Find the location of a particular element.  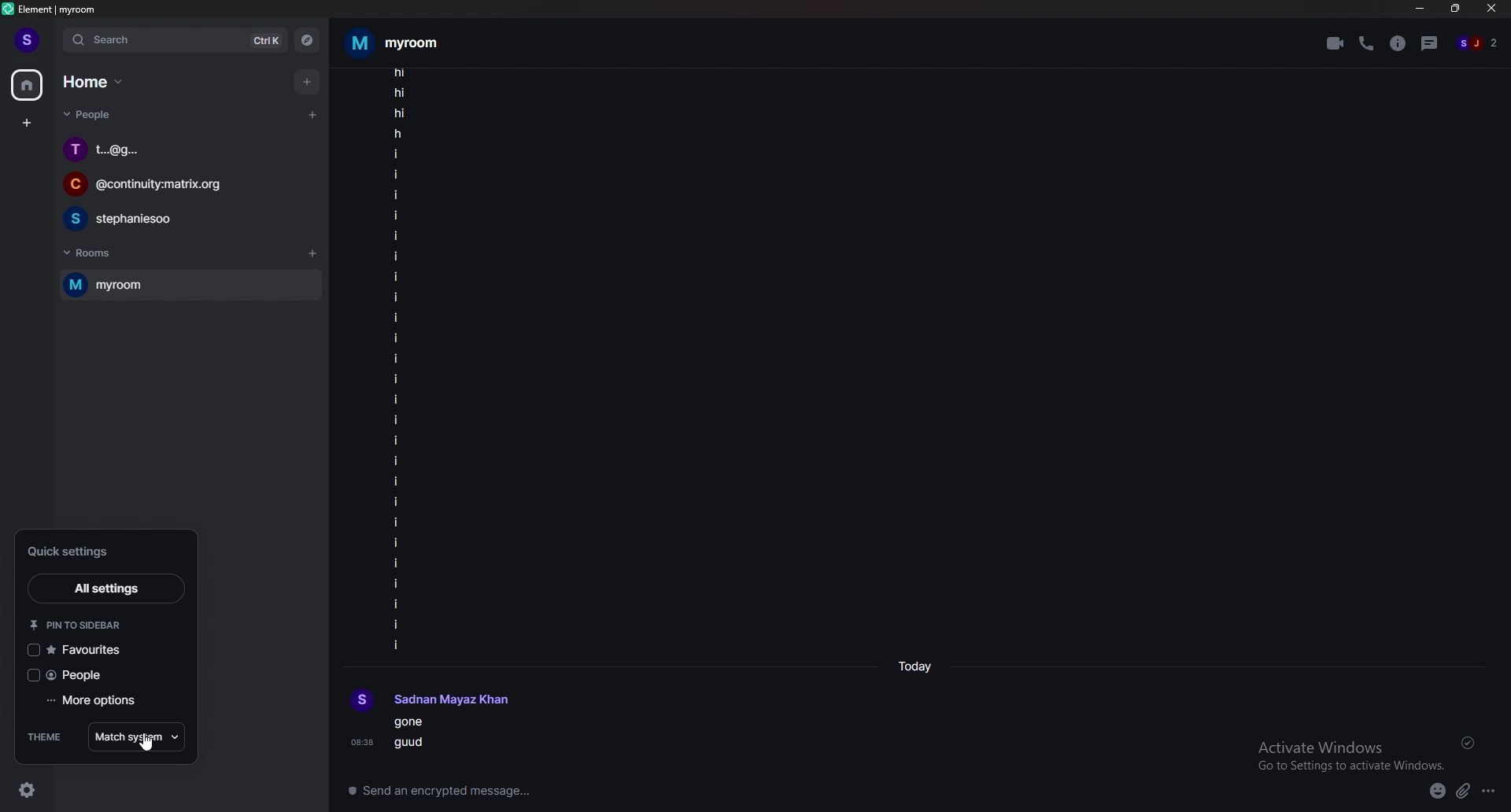

theme is located at coordinates (47, 736).